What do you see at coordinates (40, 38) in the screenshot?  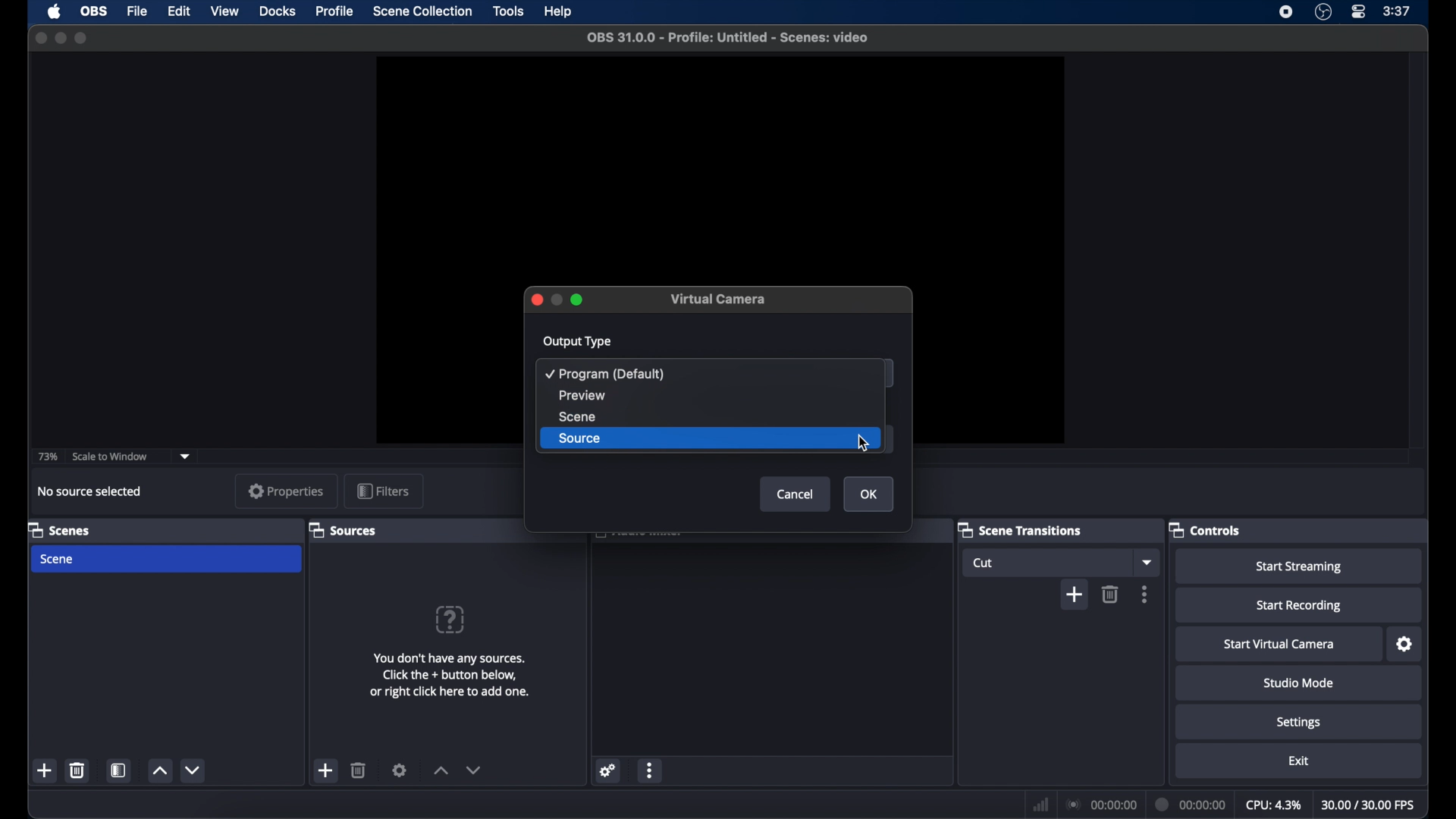 I see `close` at bounding box center [40, 38].